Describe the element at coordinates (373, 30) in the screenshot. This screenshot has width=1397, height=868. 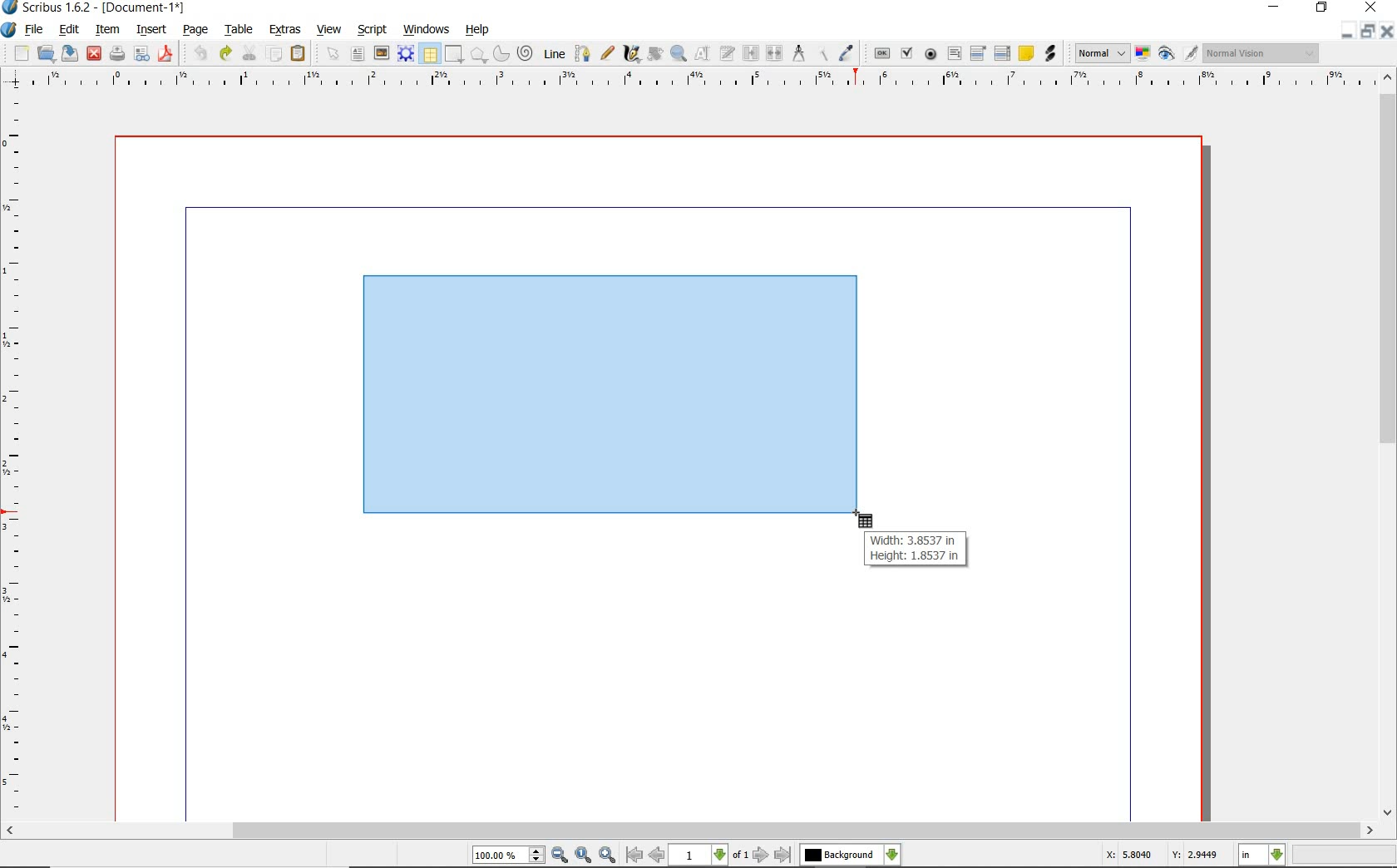
I see `script` at that location.